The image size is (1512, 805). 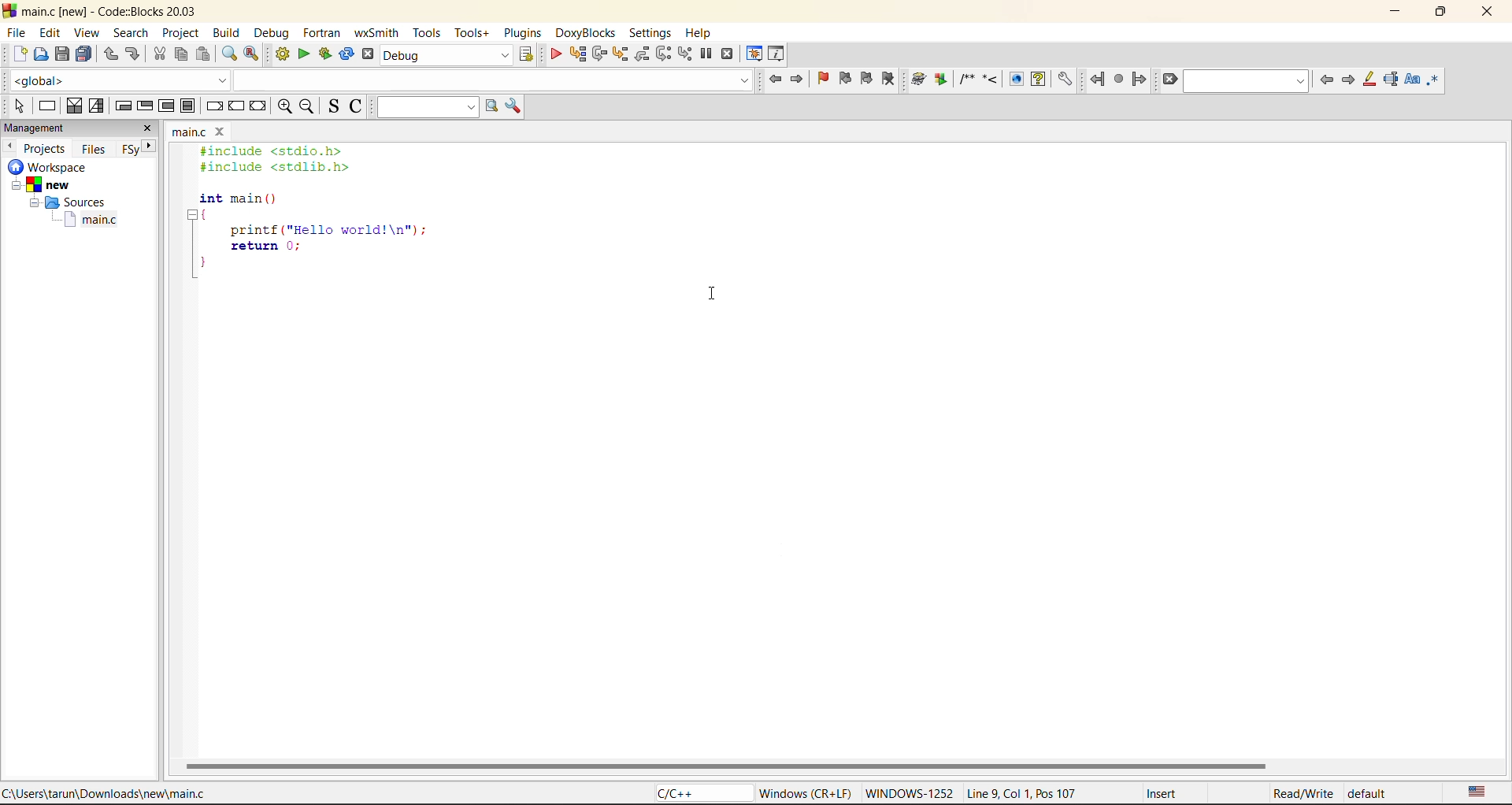 I want to click on text language, so click(x=1480, y=792).